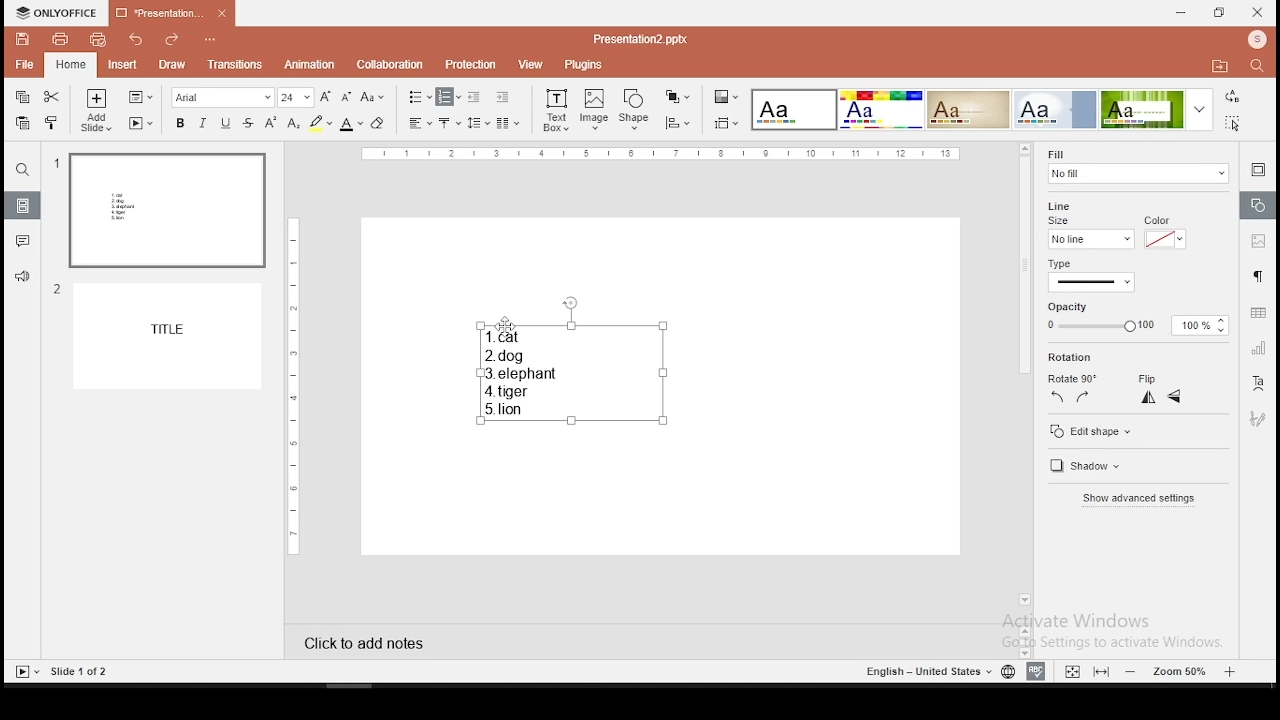  What do you see at coordinates (661, 155) in the screenshot?
I see `scale` at bounding box center [661, 155].